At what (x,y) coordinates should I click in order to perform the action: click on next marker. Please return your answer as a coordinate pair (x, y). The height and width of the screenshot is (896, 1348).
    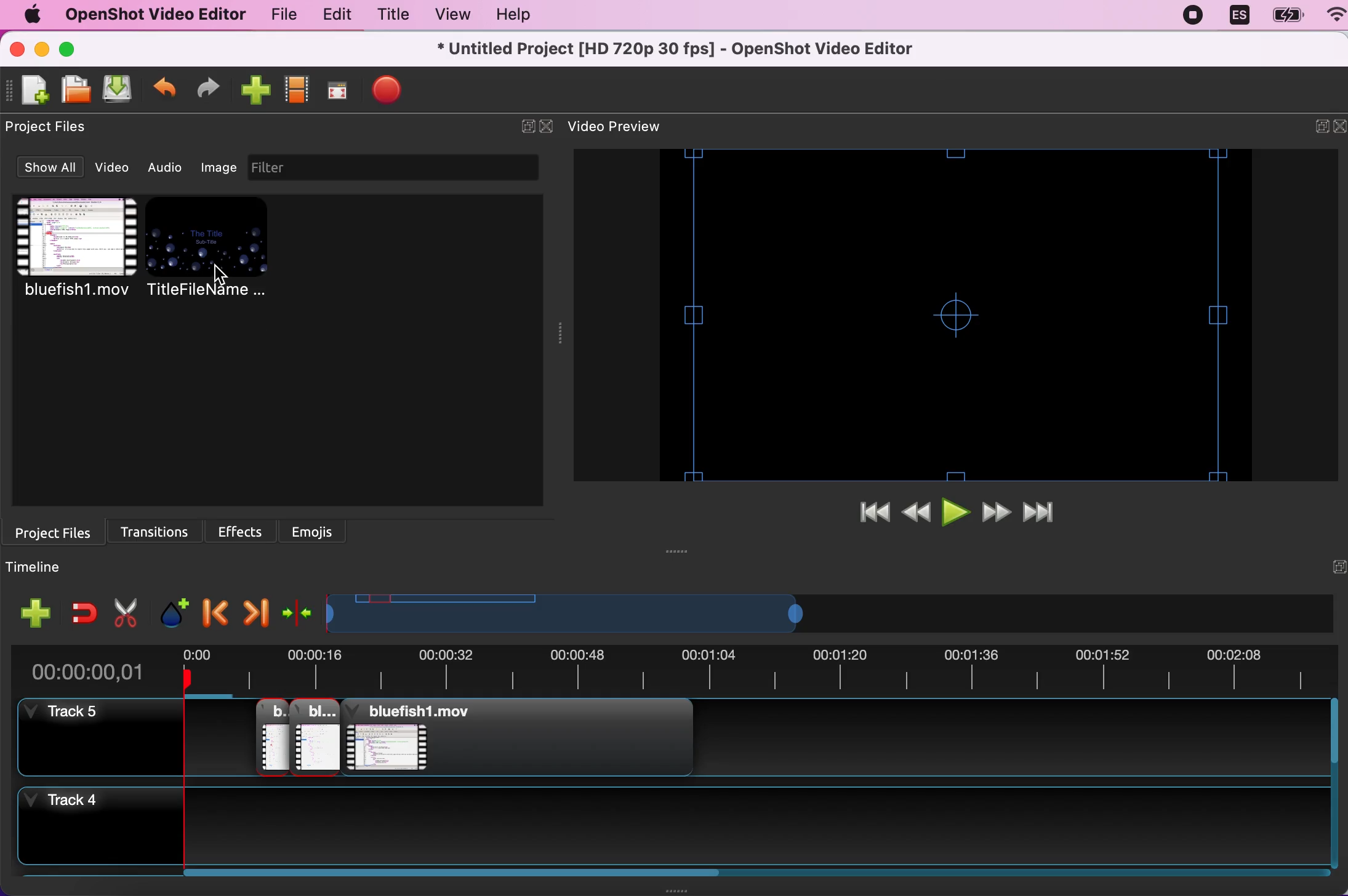
    Looking at the image, I should click on (255, 609).